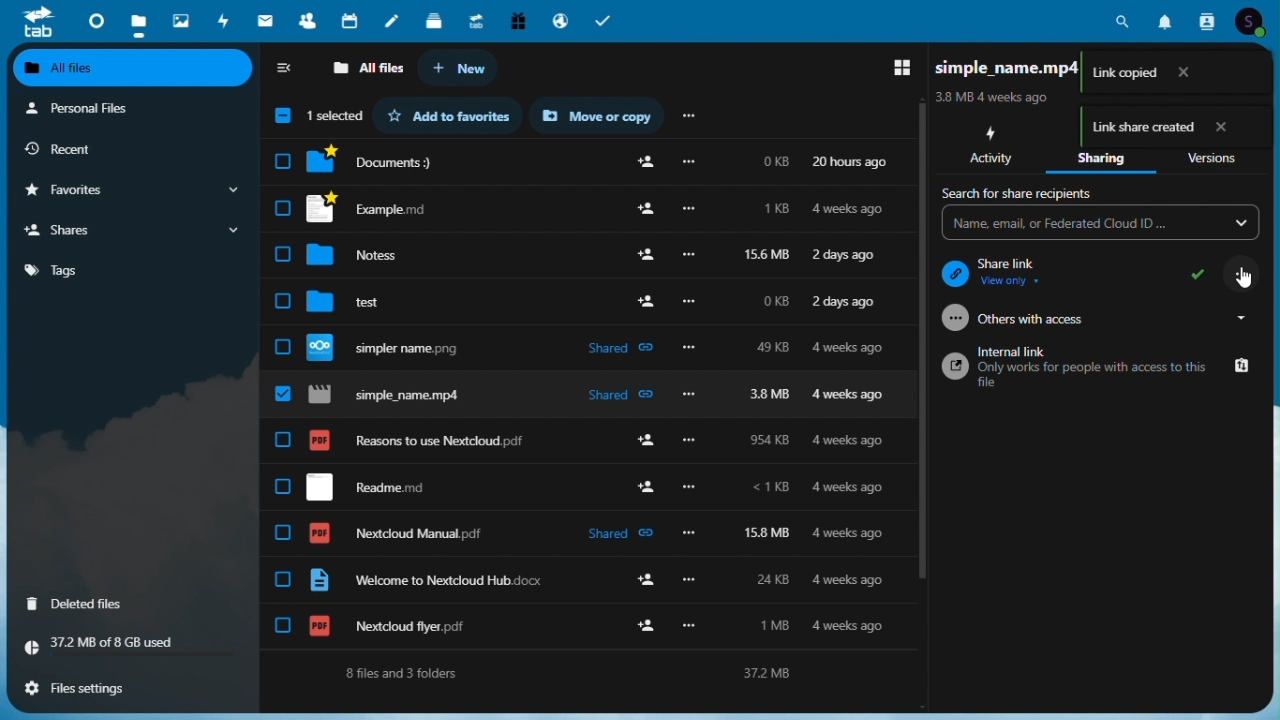  What do you see at coordinates (591, 394) in the screenshot?
I see `Shared file` at bounding box center [591, 394].